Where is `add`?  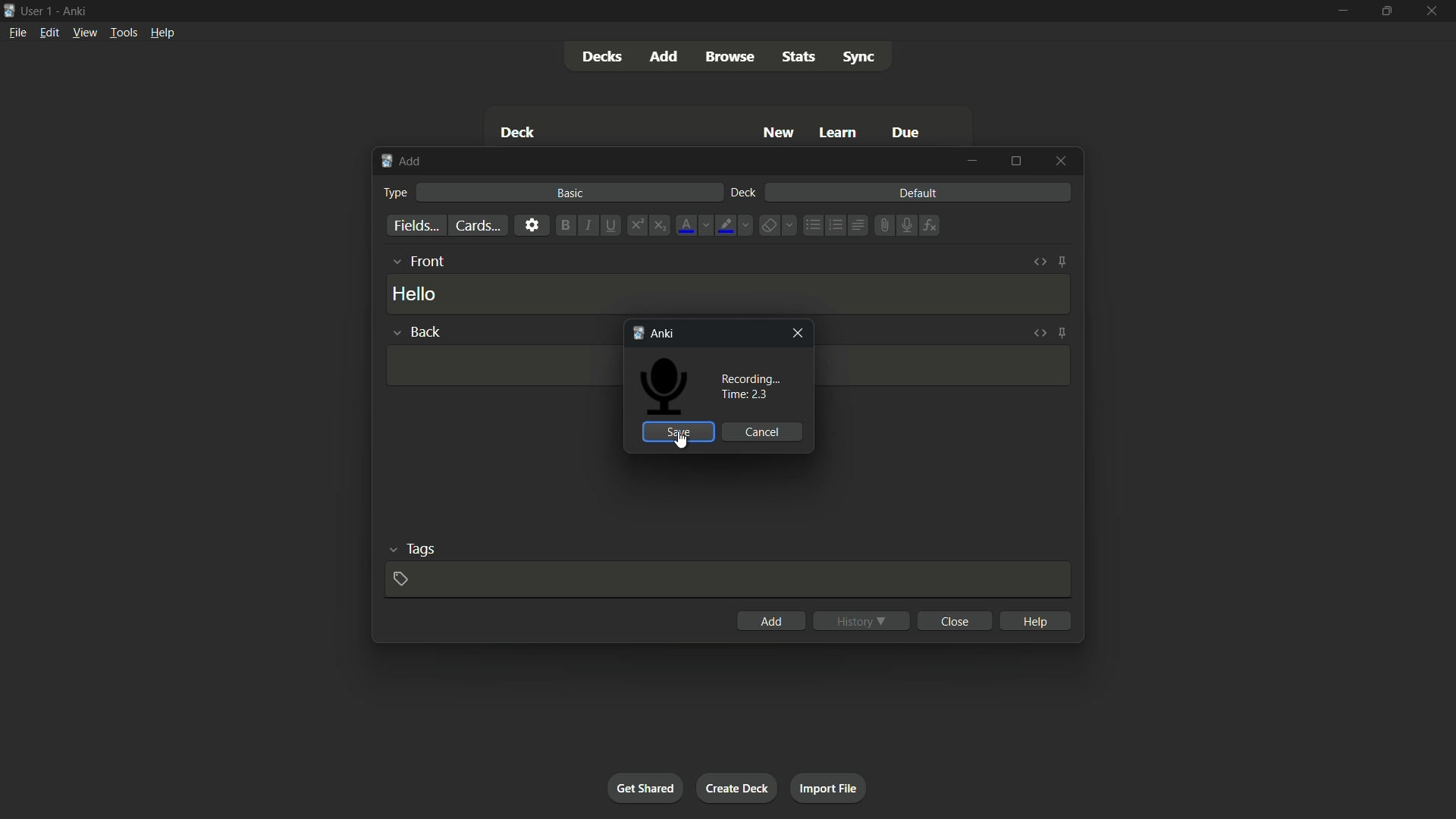 add is located at coordinates (403, 162).